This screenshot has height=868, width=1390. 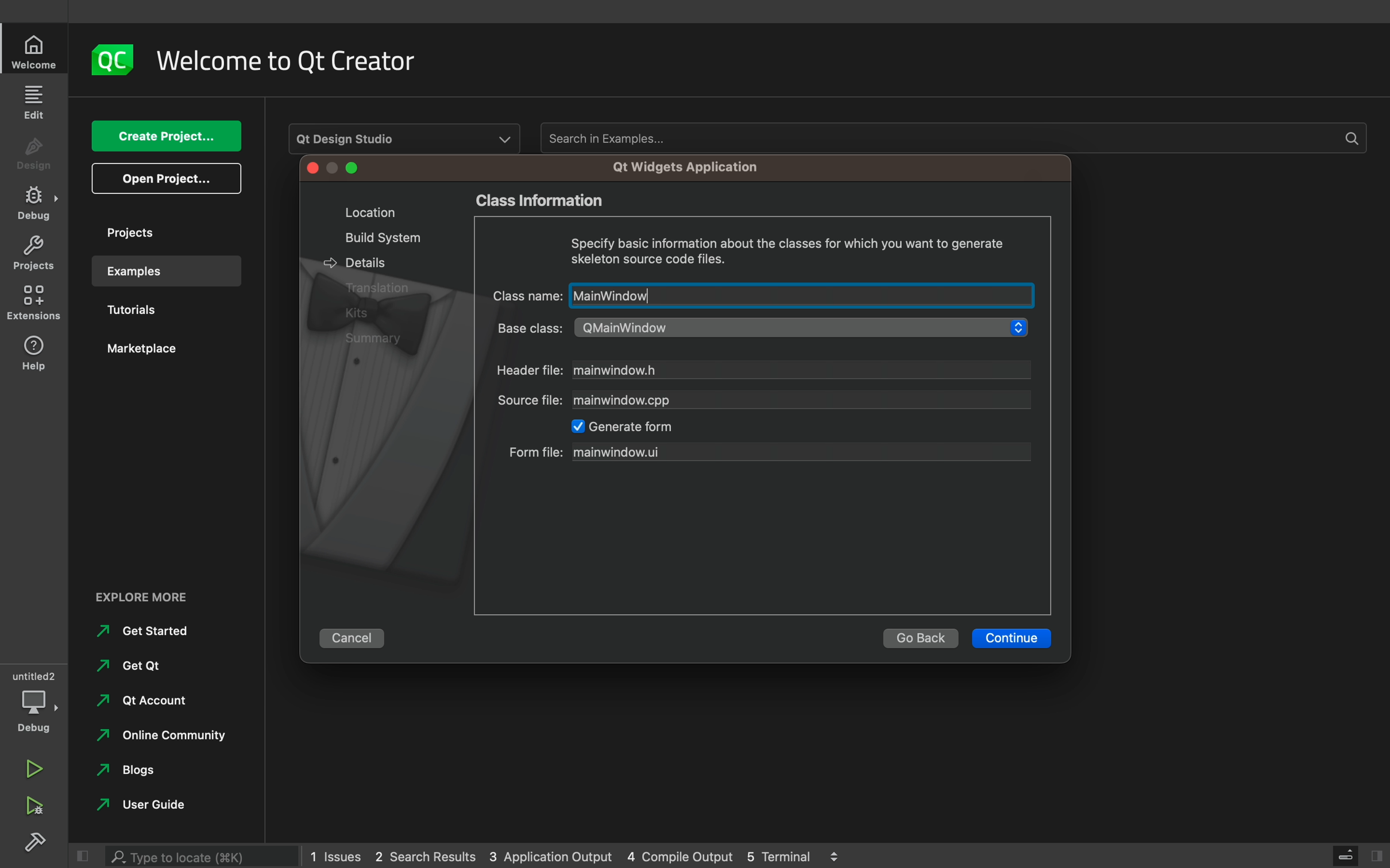 I want to click on , so click(x=87, y=855).